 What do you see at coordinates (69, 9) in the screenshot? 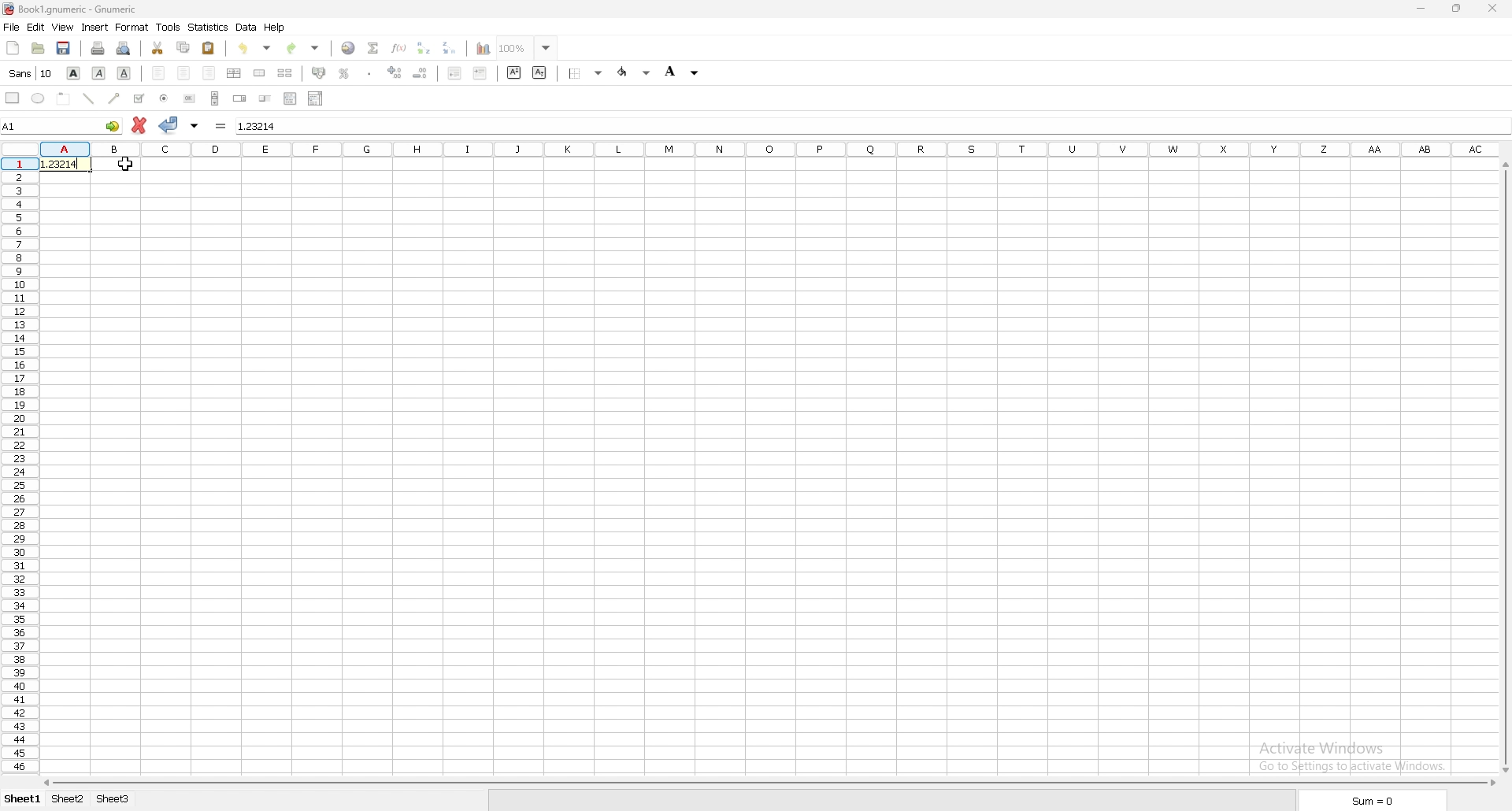
I see `file name` at bounding box center [69, 9].